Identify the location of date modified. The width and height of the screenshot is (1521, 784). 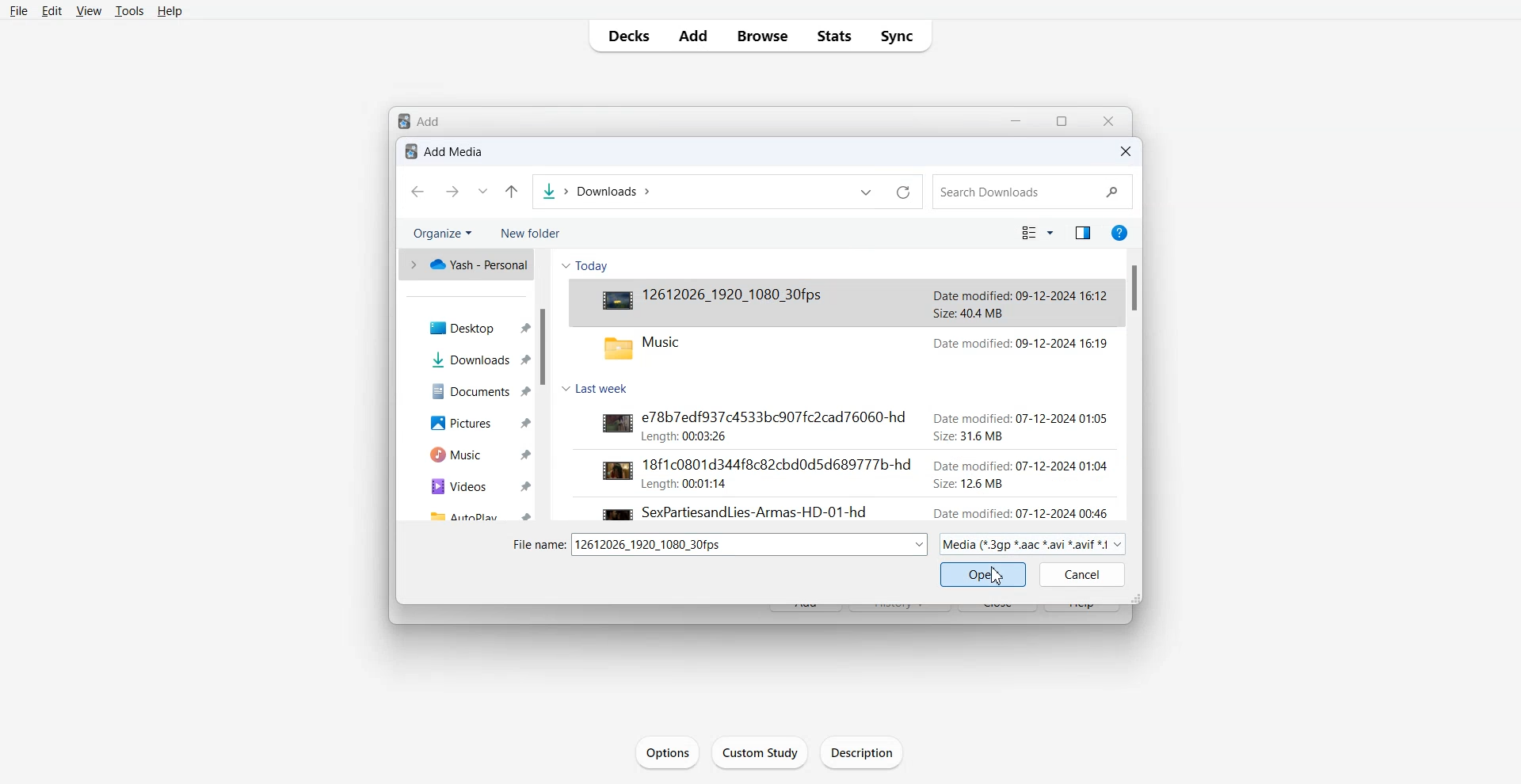
(1021, 466).